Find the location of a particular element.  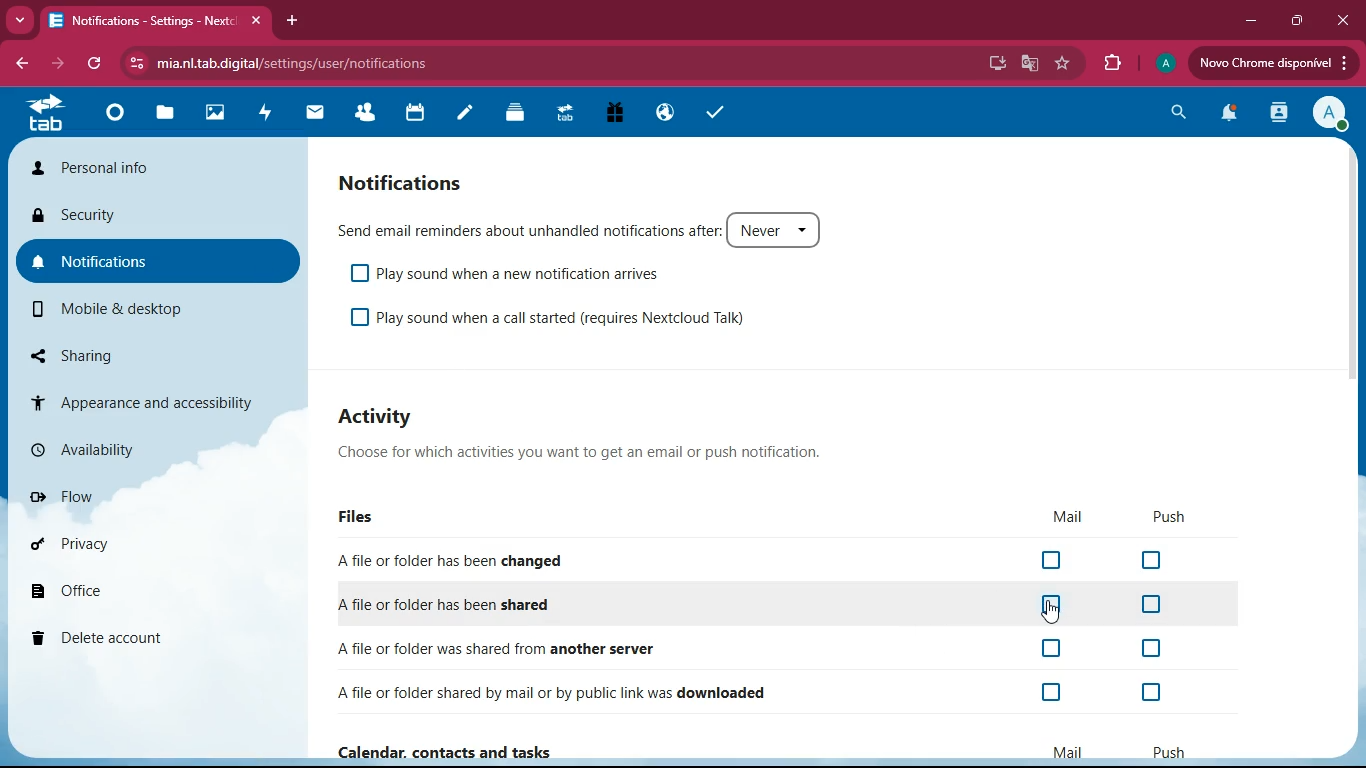

cursor is located at coordinates (1050, 614).